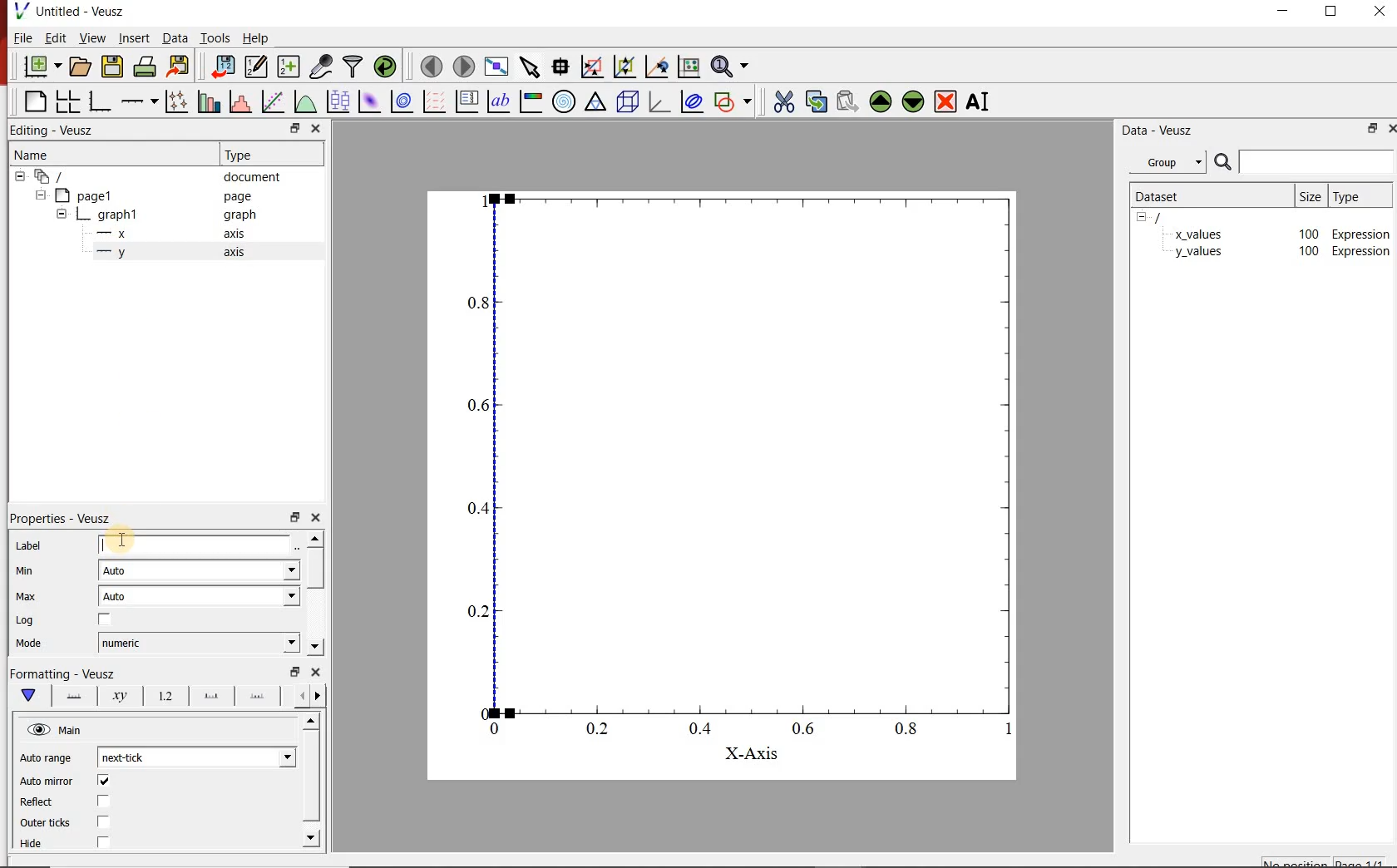 This screenshot has width=1397, height=868. What do you see at coordinates (369, 101) in the screenshot?
I see `plot 2d dataset as an image` at bounding box center [369, 101].